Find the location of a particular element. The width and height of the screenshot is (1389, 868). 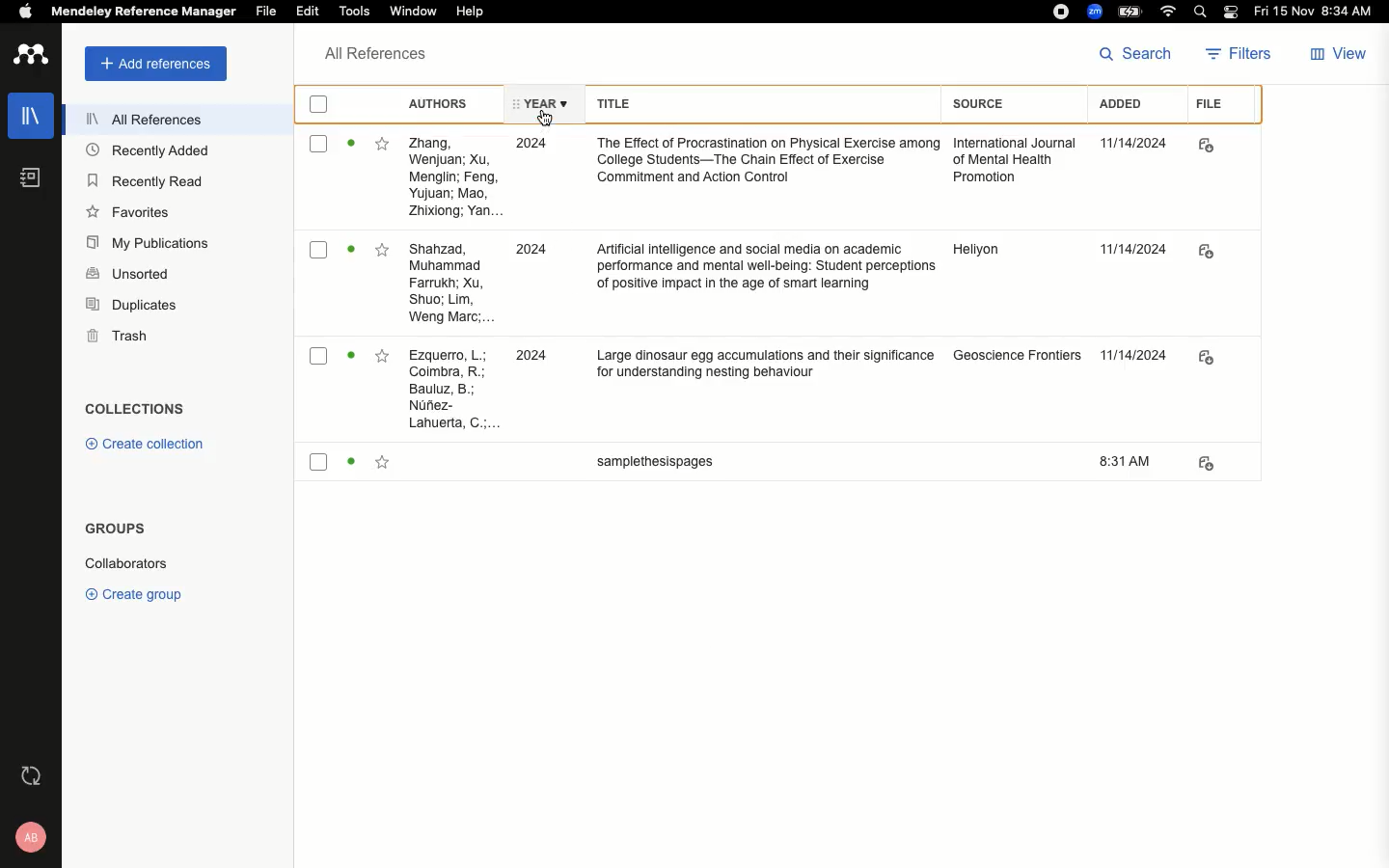

Charge is located at coordinates (1133, 12).